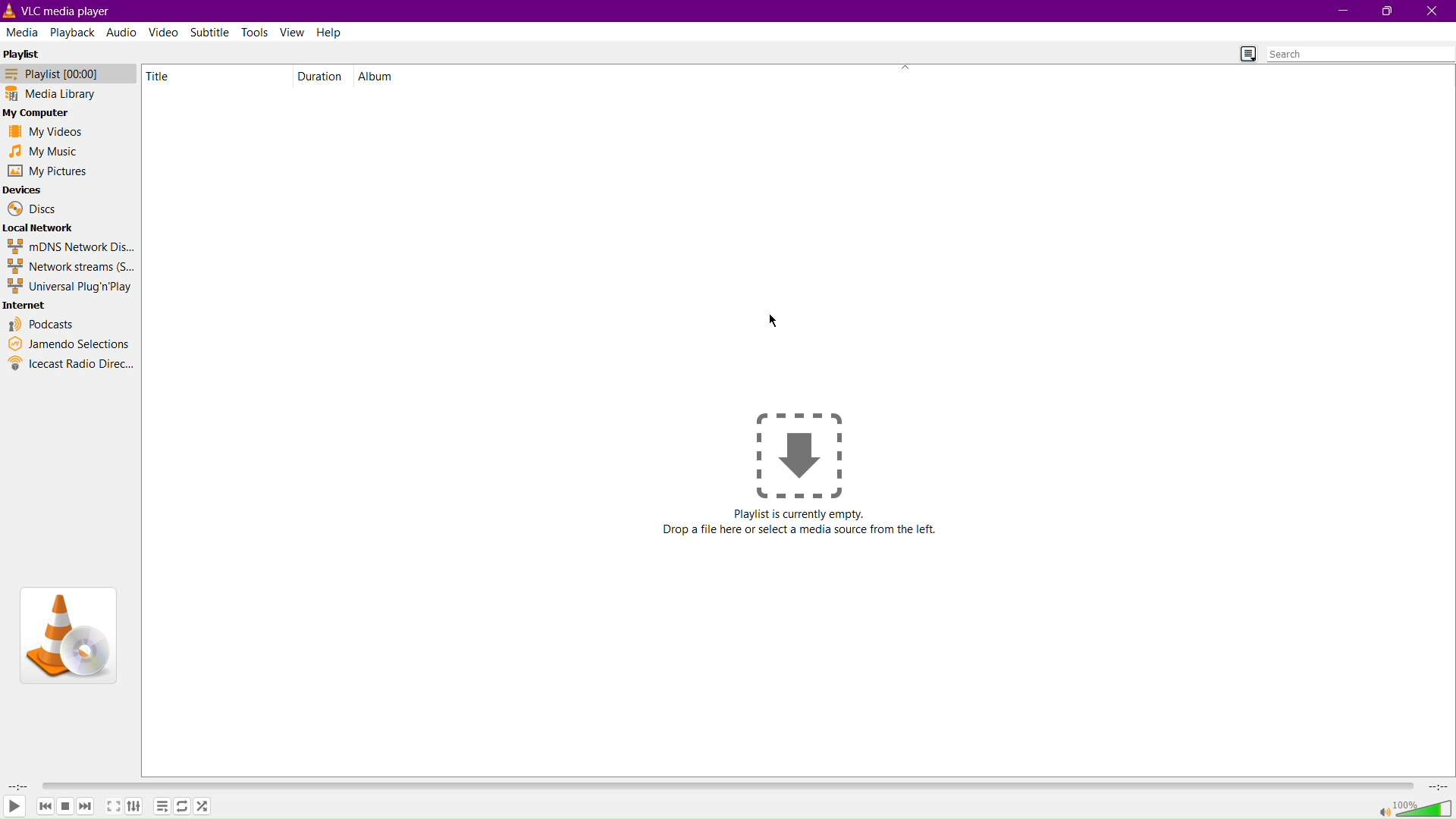 This screenshot has height=819, width=1456. What do you see at coordinates (1340, 11) in the screenshot?
I see `Minimize` at bounding box center [1340, 11].